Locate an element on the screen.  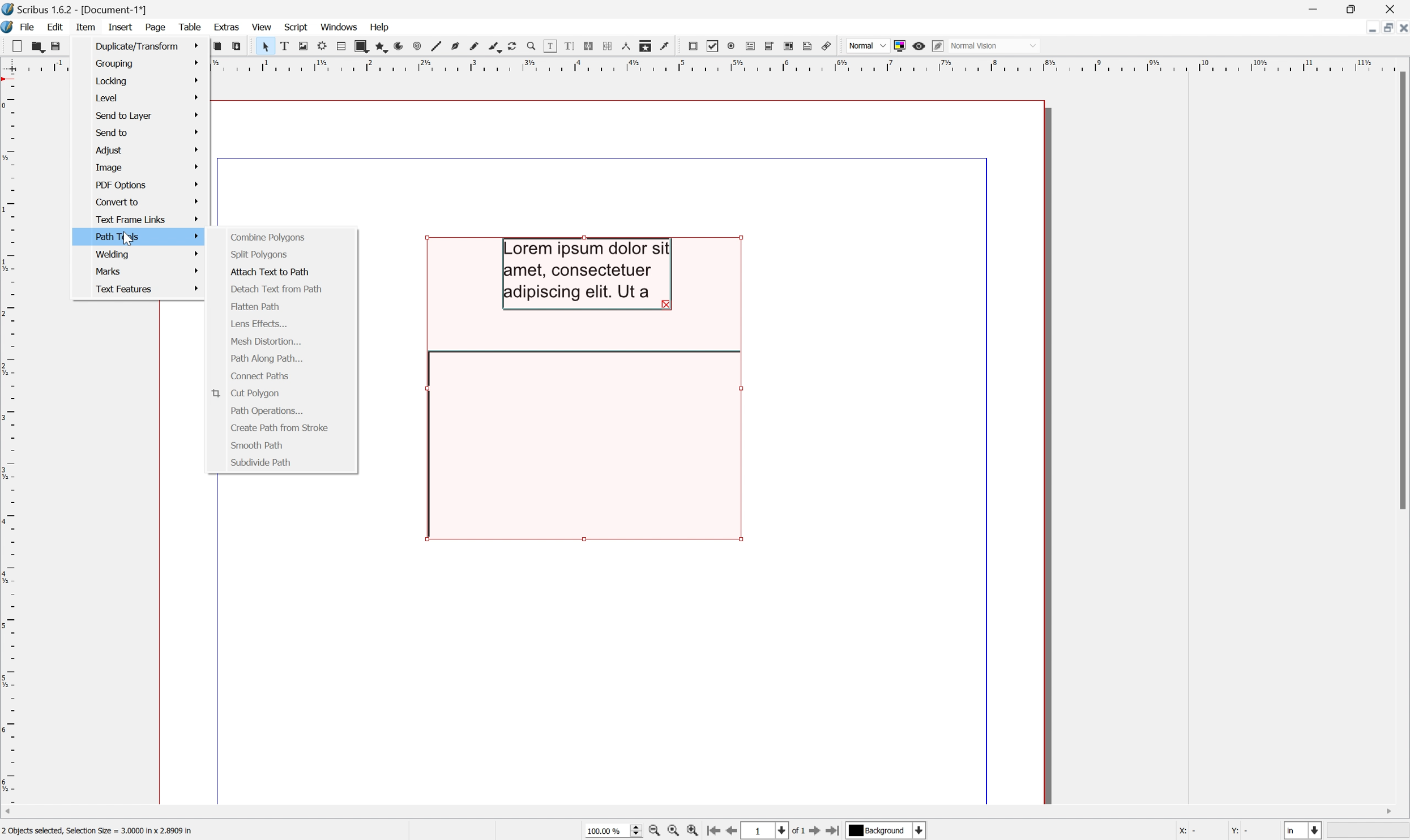
Normal is located at coordinates (866, 44).